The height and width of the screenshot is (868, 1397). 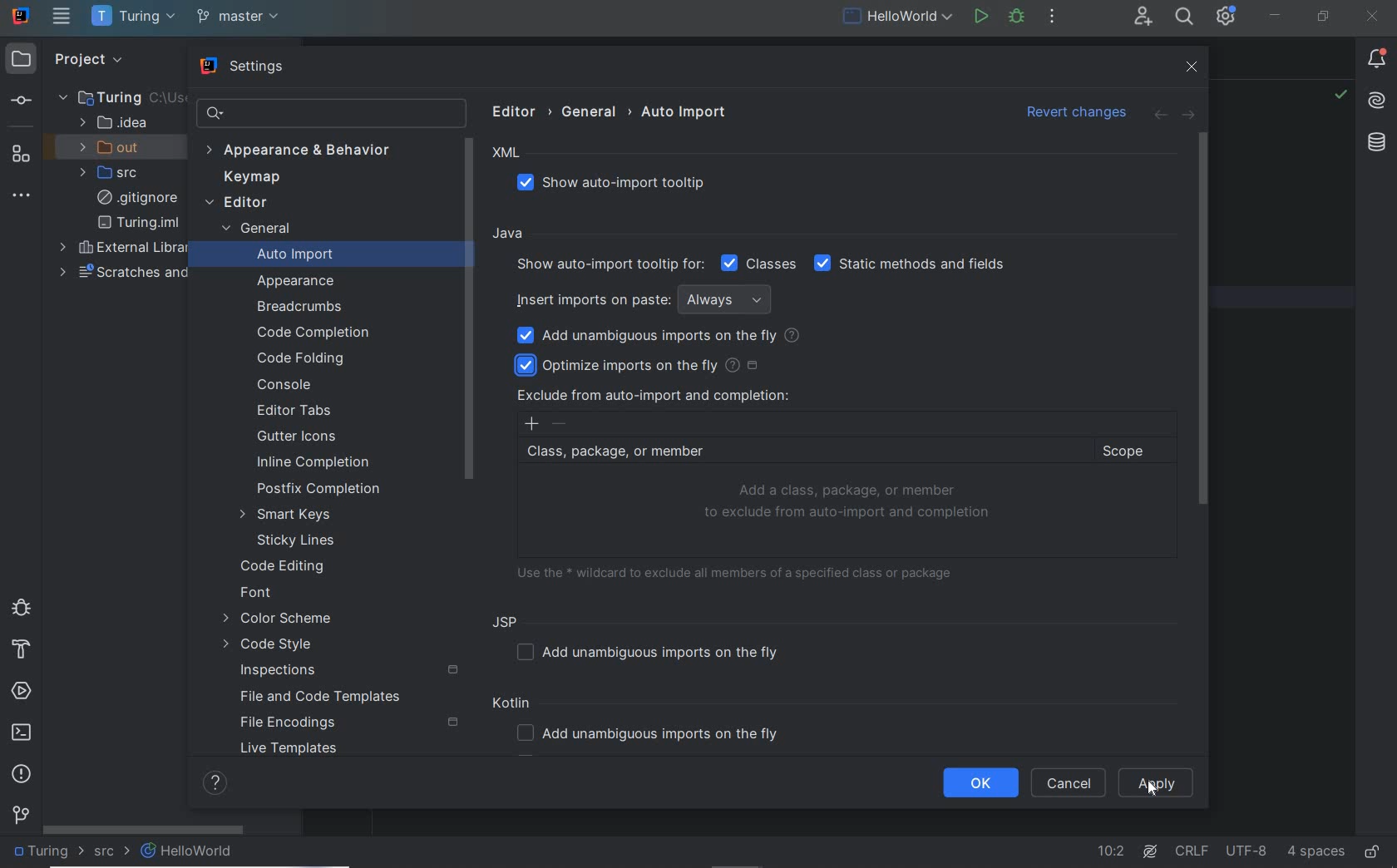 I want to click on JAVA, so click(x=511, y=234).